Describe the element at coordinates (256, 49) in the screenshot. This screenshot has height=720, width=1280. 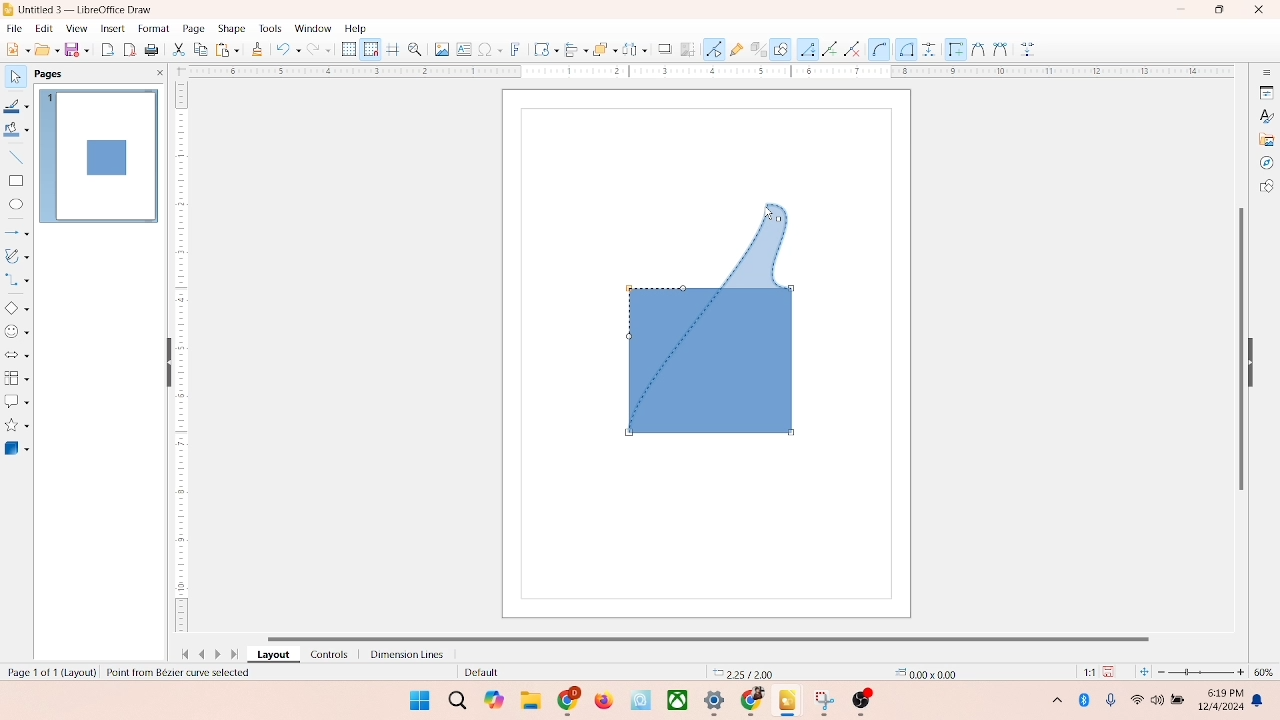
I see `clone formatting` at that location.